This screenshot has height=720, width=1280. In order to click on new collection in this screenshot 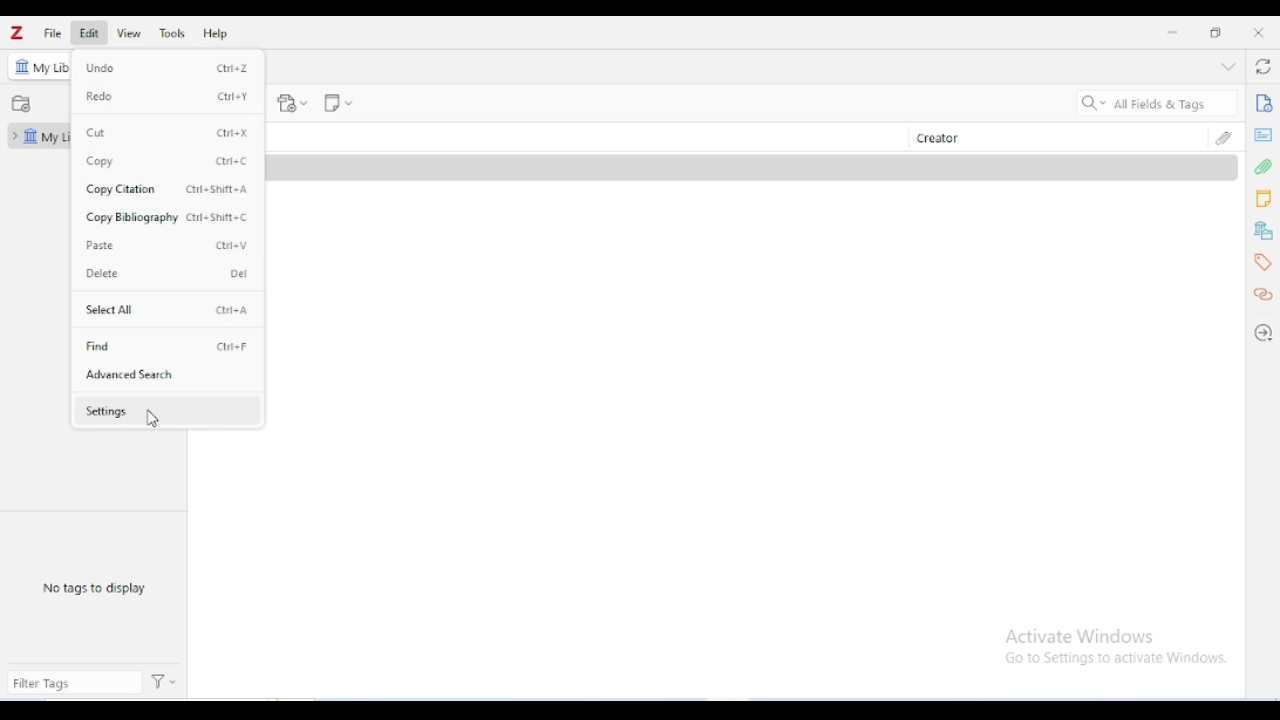, I will do `click(21, 104)`.